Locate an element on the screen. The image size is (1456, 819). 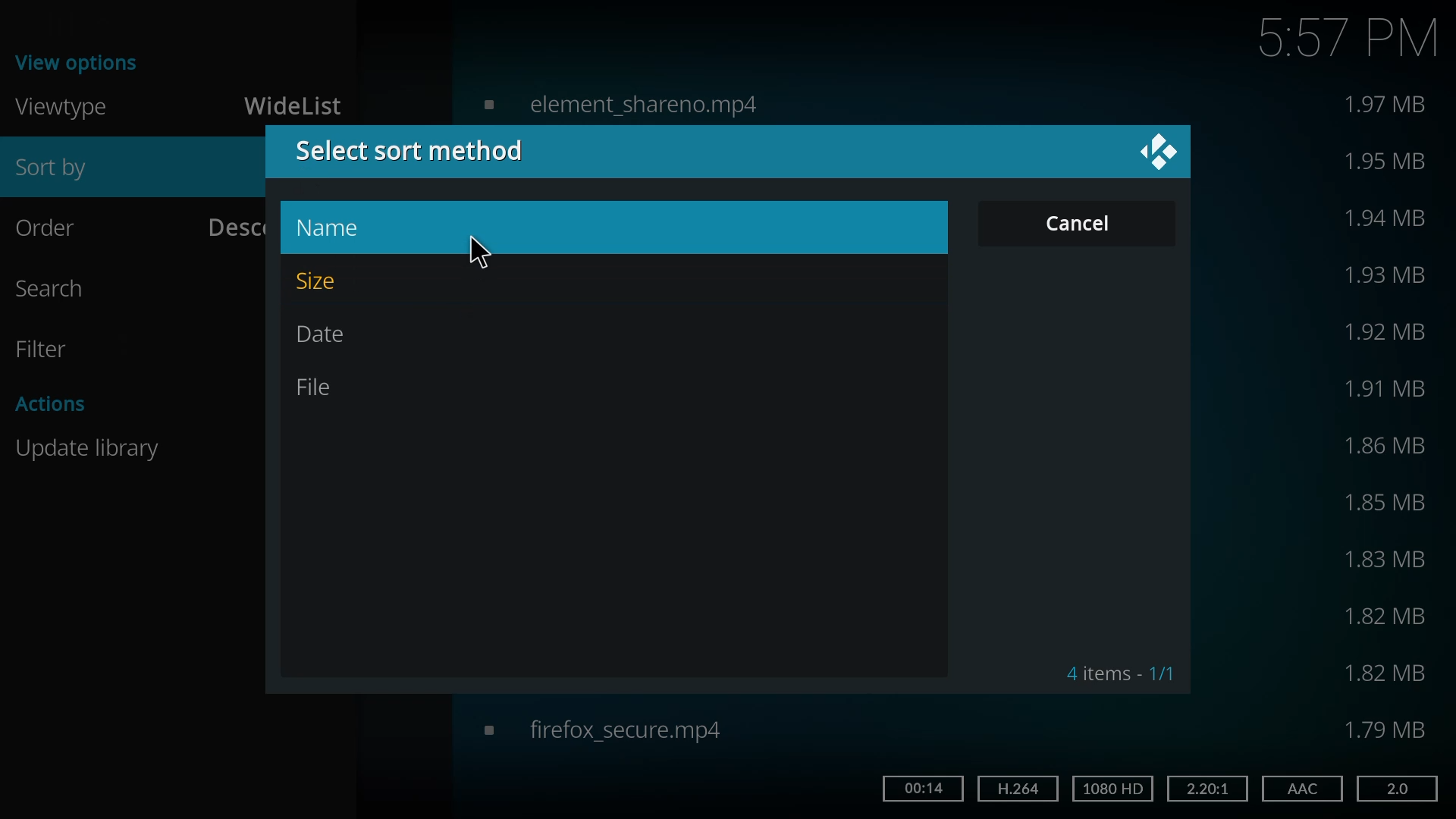
size is located at coordinates (328, 281).